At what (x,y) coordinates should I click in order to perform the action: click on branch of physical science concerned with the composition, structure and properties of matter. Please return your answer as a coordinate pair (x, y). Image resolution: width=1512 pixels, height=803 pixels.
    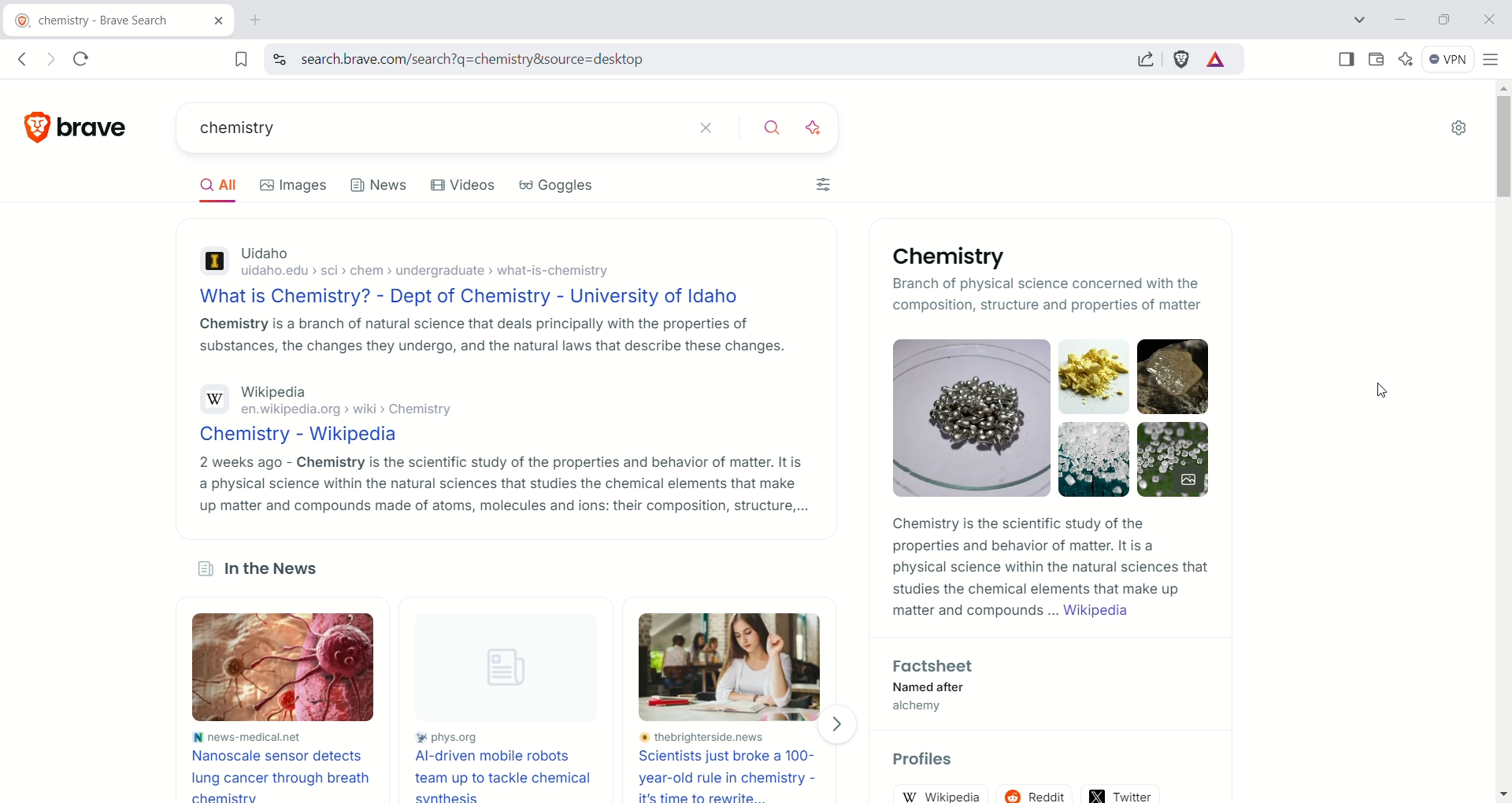
    Looking at the image, I should click on (1050, 296).